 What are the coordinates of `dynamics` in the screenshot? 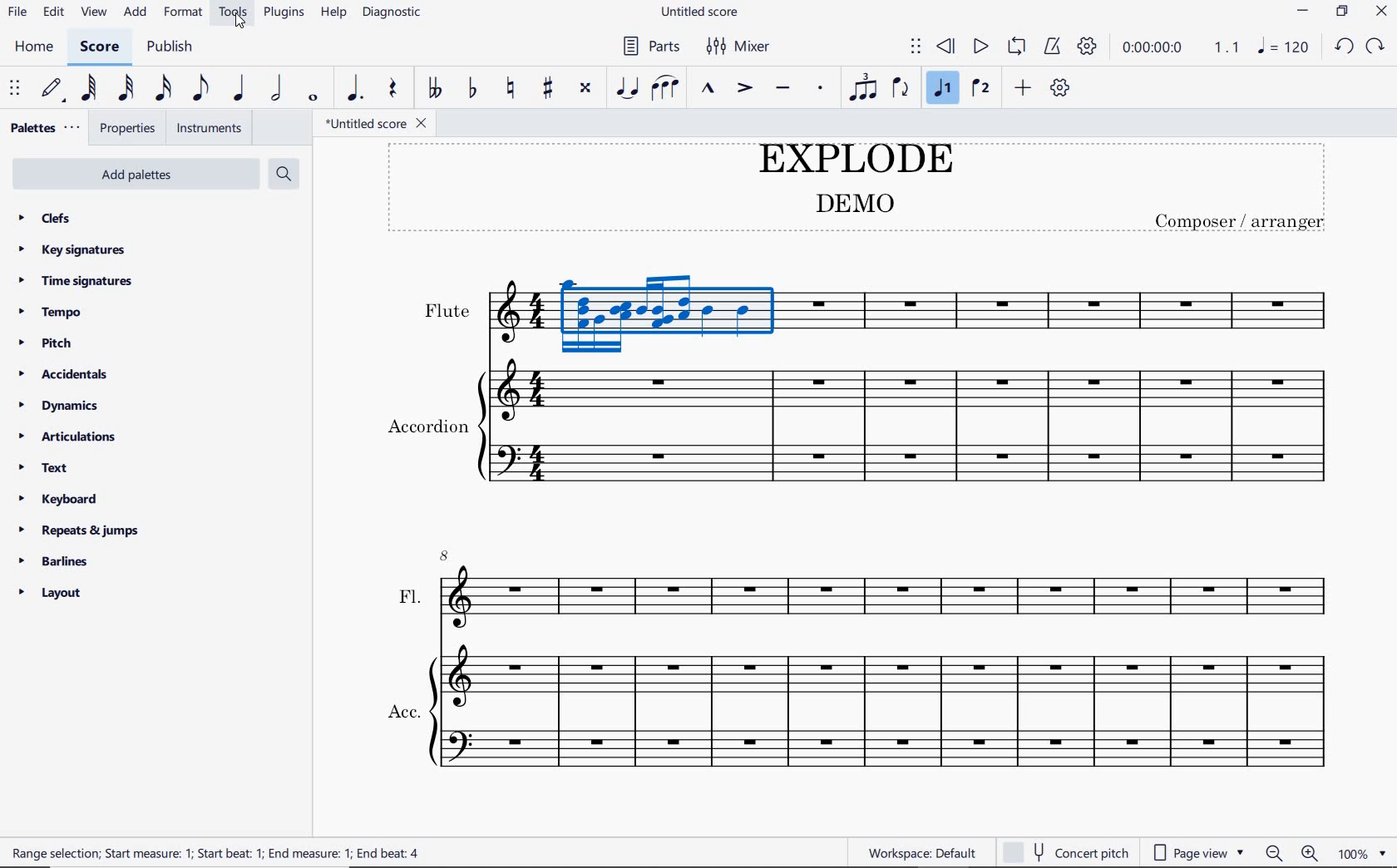 It's located at (61, 404).